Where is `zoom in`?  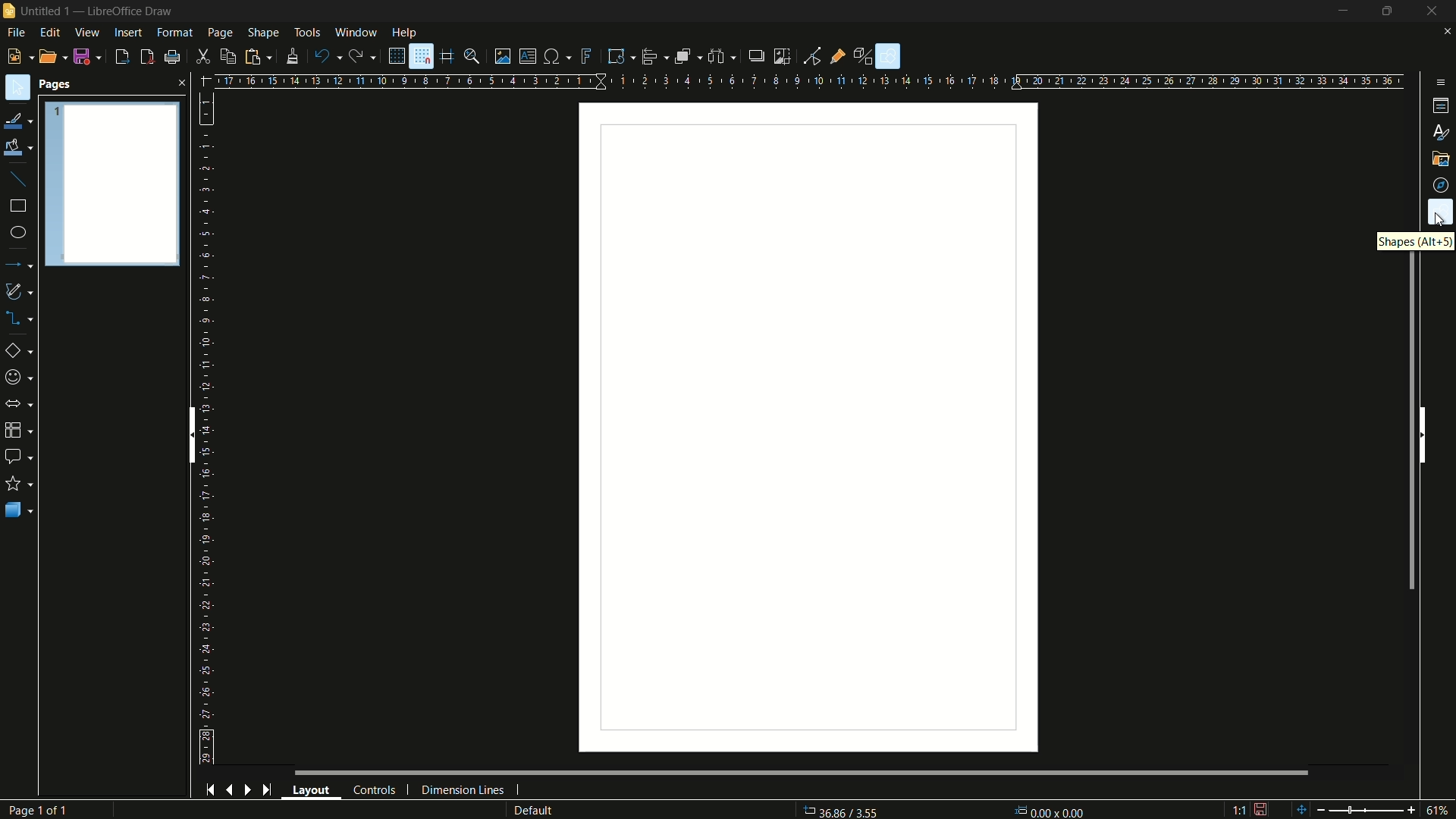 zoom in is located at coordinates (1413, 808).